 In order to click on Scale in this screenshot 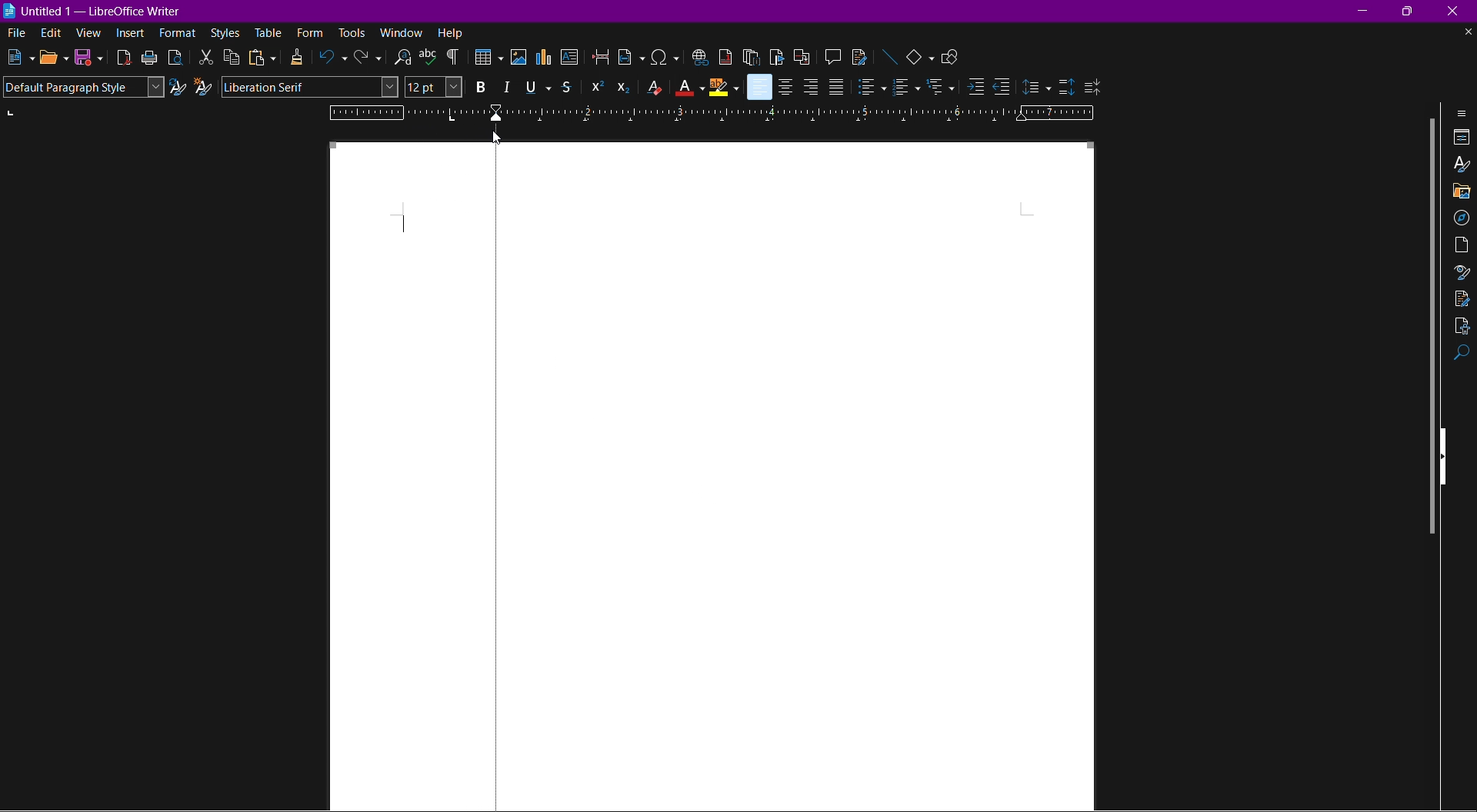, I will do `click(815, 113)`.